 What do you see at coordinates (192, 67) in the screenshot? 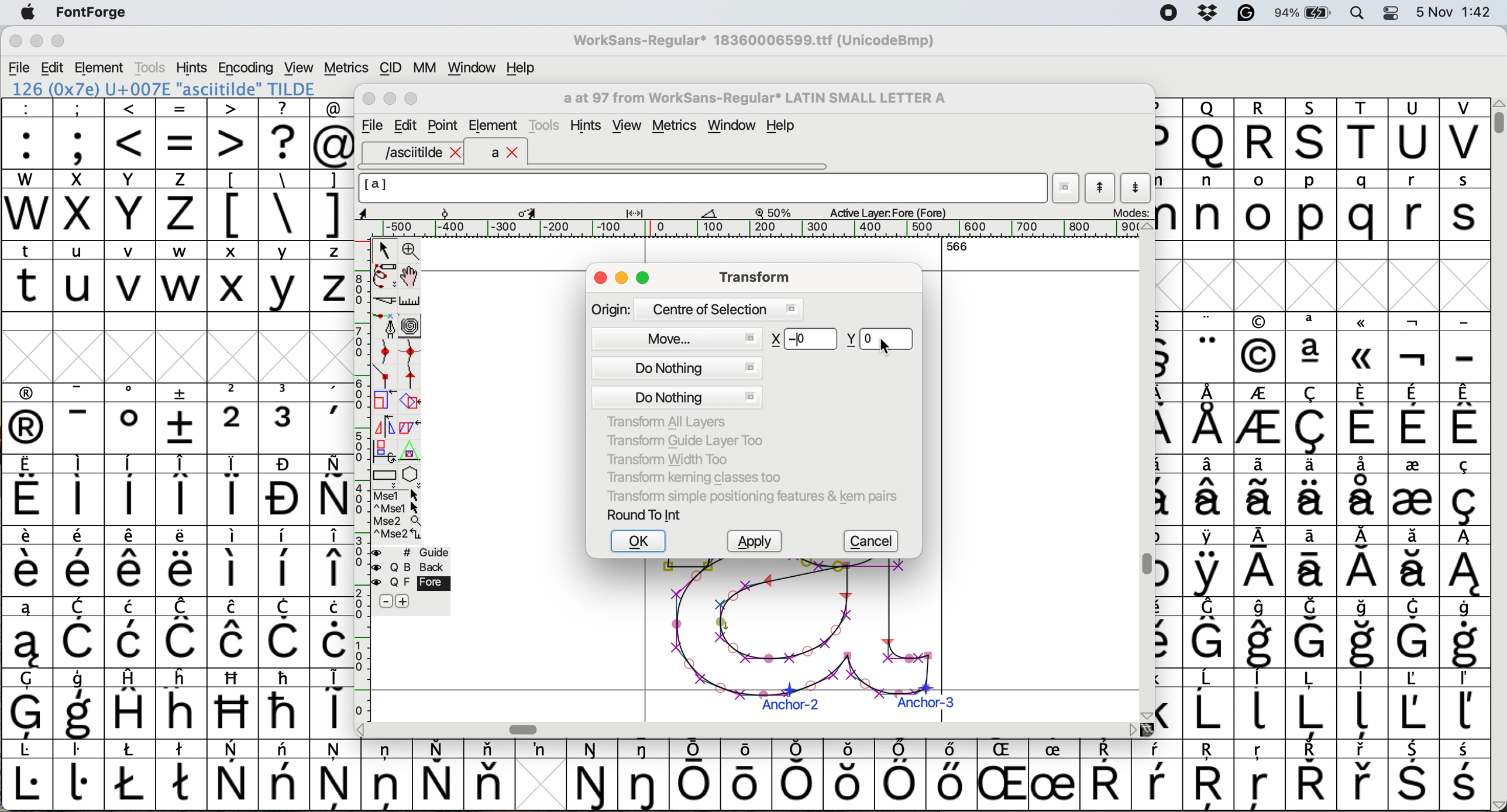
I see `hints` at bounding box center [192, 67].